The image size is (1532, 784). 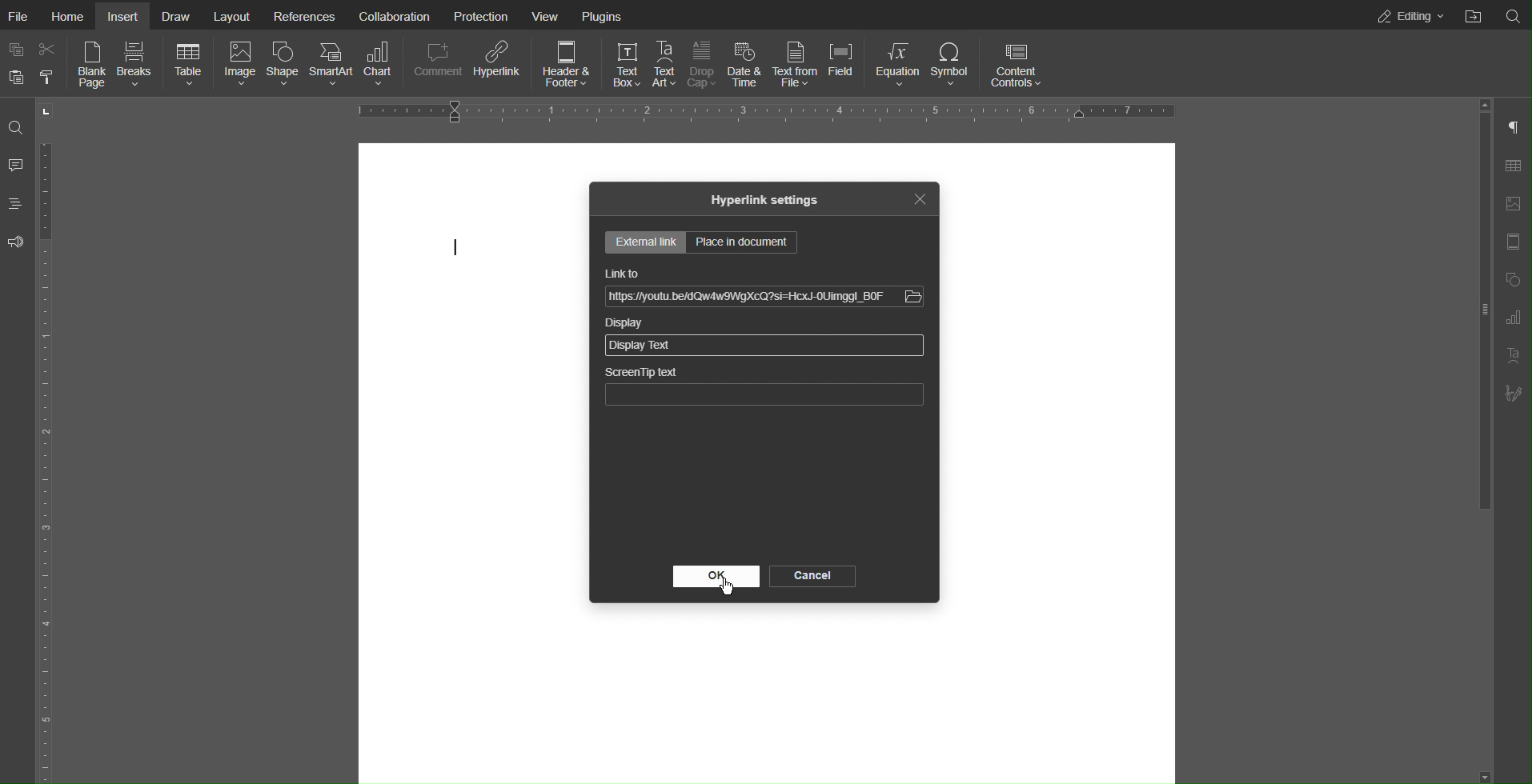 I want to click on ScreenTip text, so click(x=641, y=373).